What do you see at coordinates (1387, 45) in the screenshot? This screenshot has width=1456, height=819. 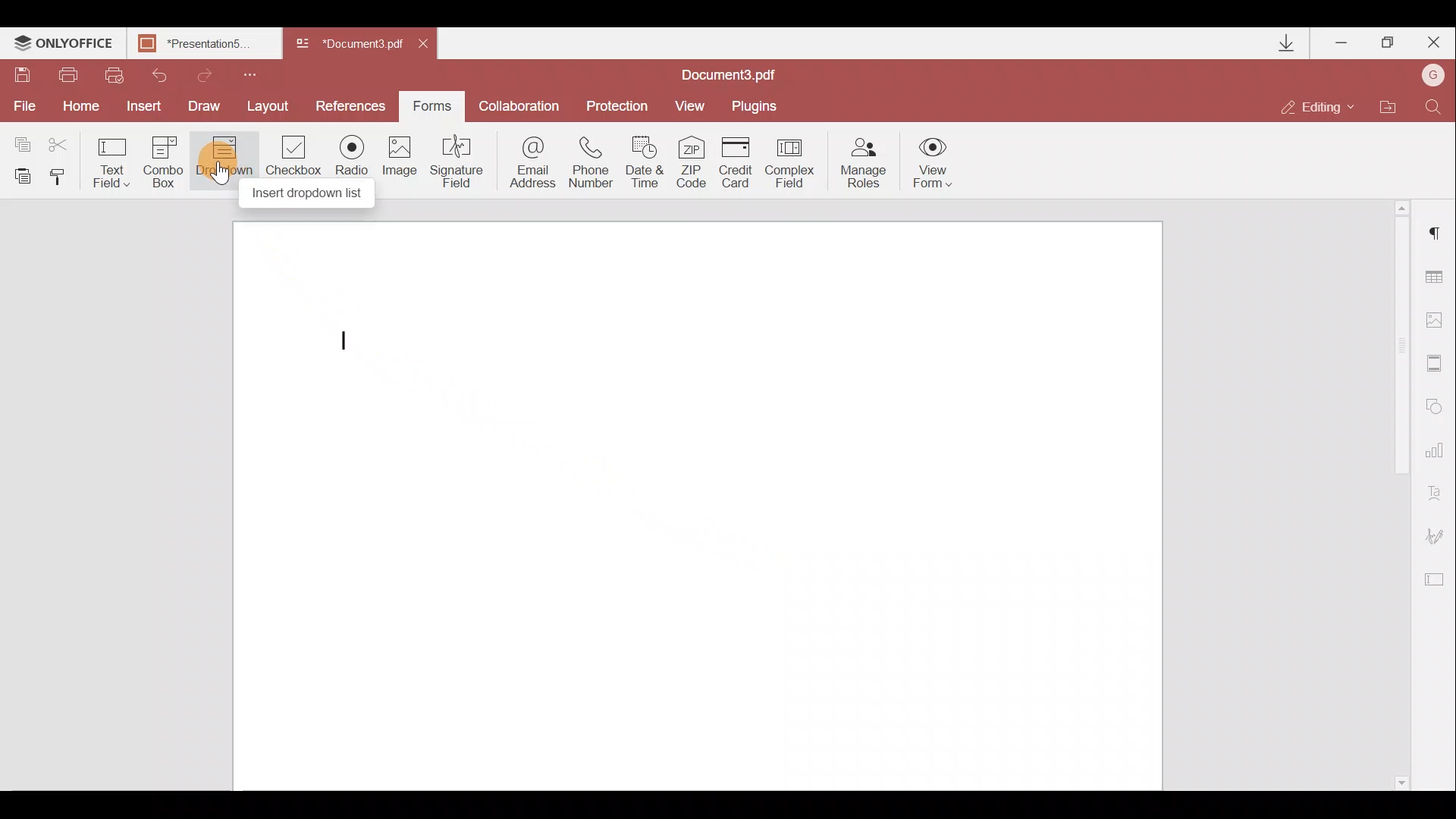 I see `Maximize` at bounding box center [1387, 45].